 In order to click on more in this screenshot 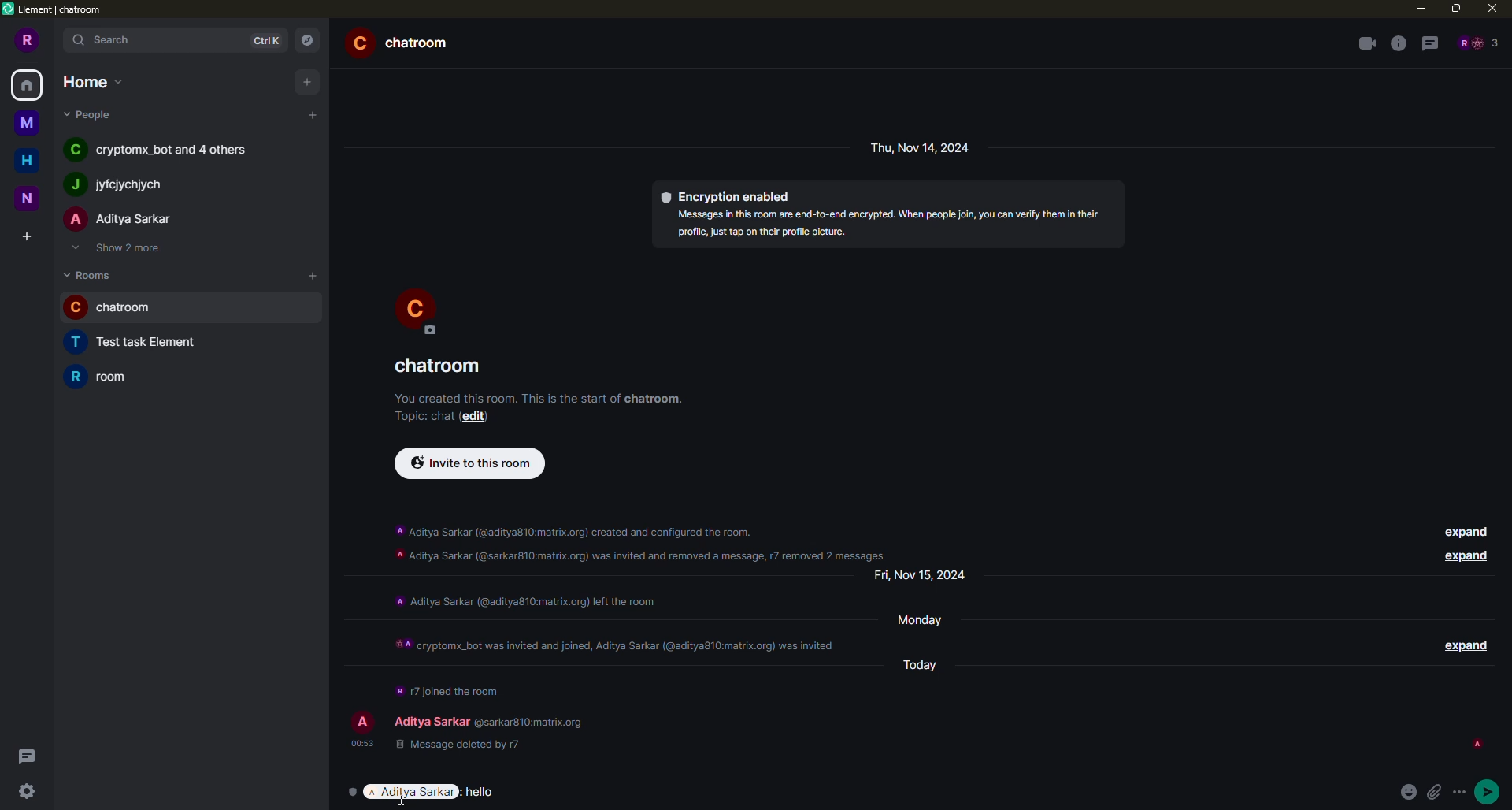, I will do `click(1463, 793)`.